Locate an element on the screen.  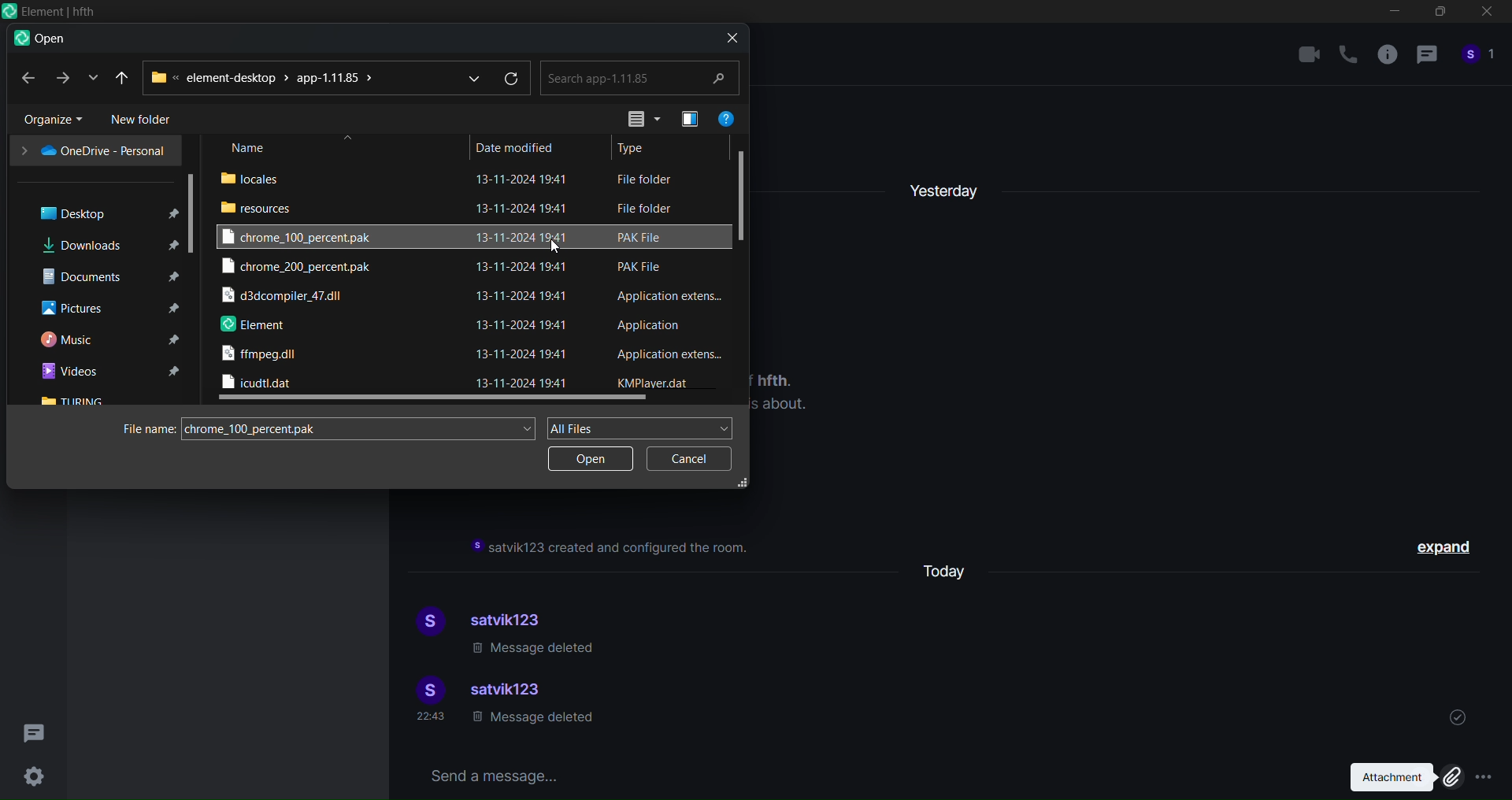
search is located at coordinates (641, 77).